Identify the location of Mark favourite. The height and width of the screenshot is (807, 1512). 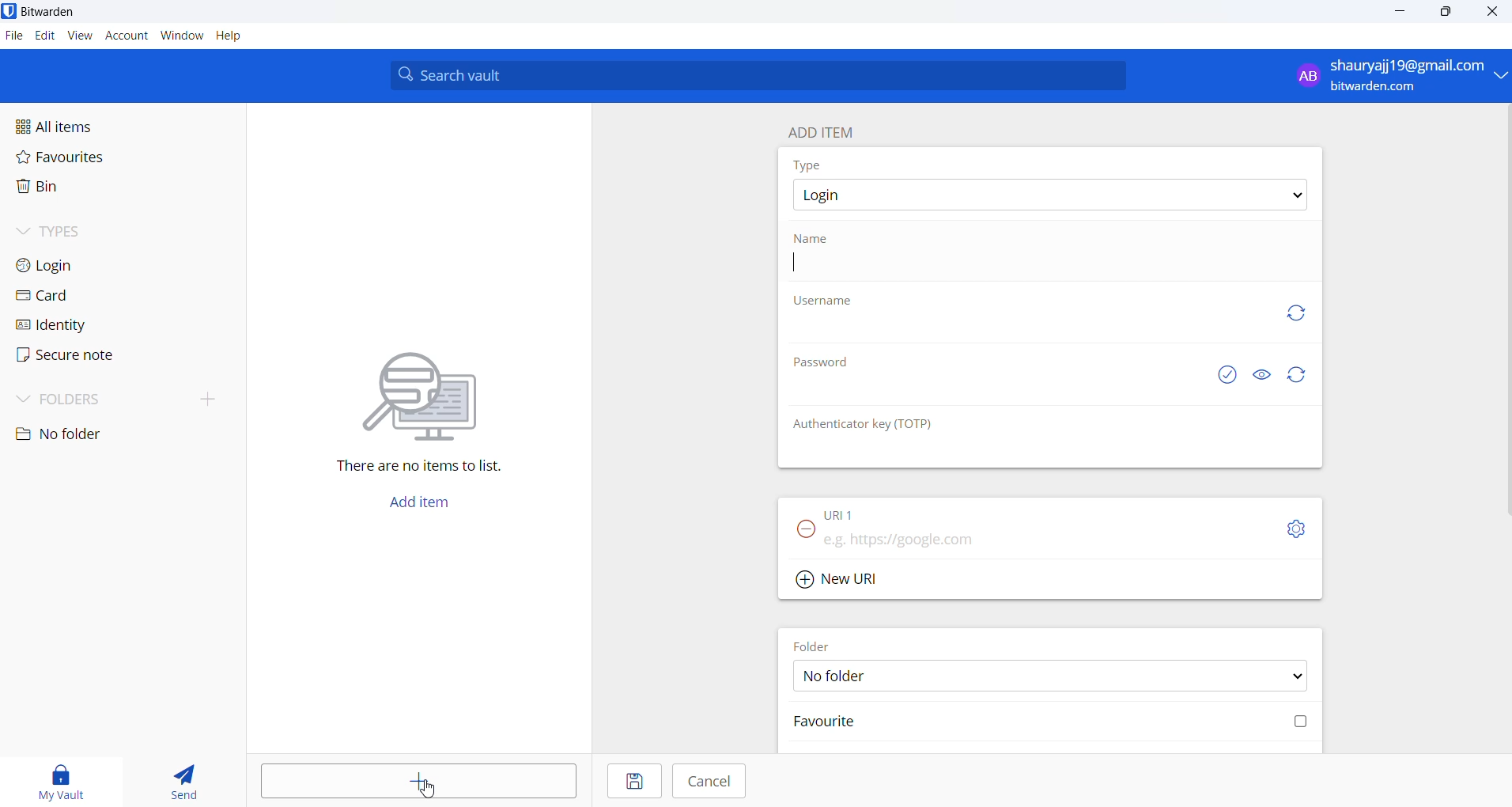
(1049, 726).